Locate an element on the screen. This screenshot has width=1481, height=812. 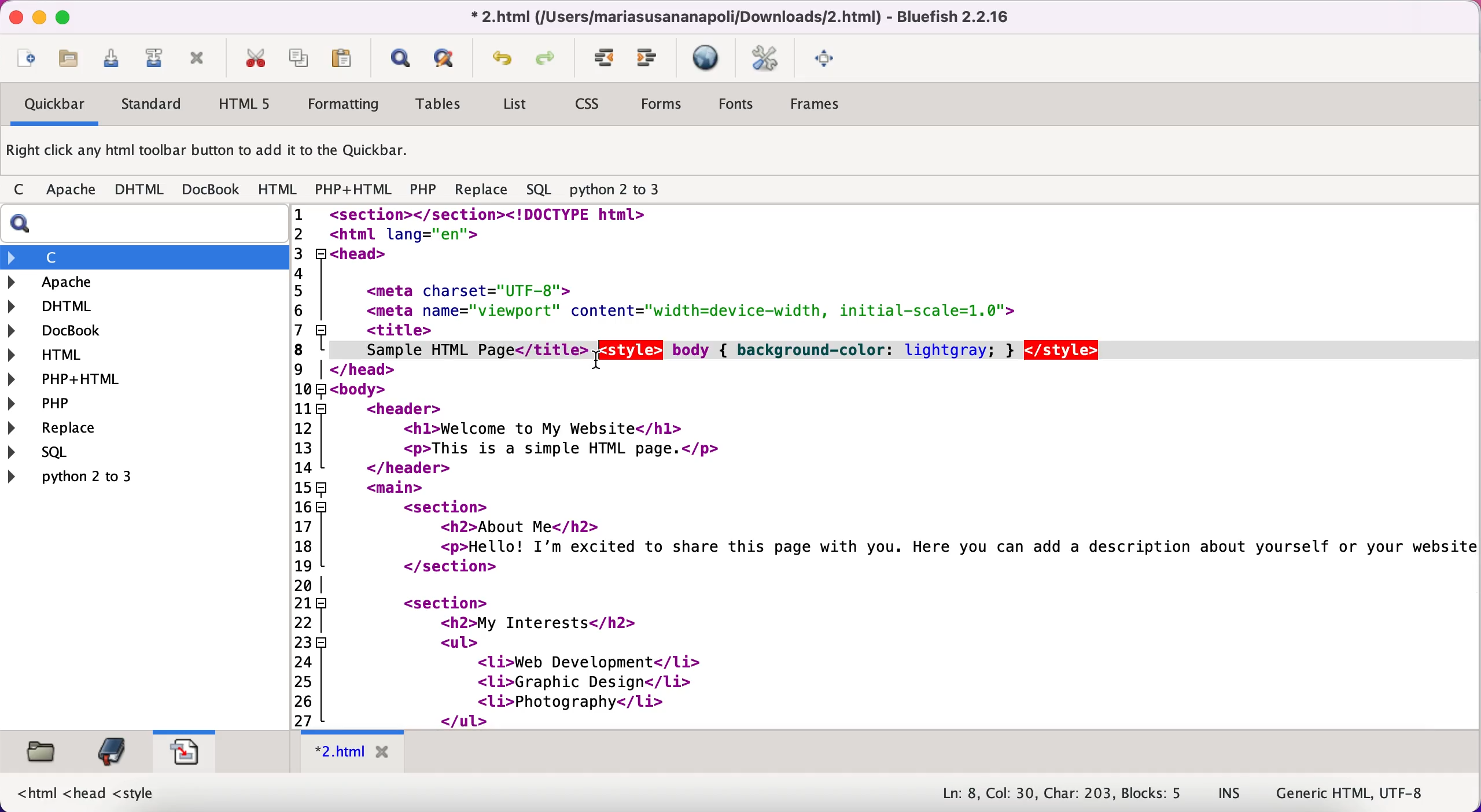
apache is located at coordinates (115, 282).